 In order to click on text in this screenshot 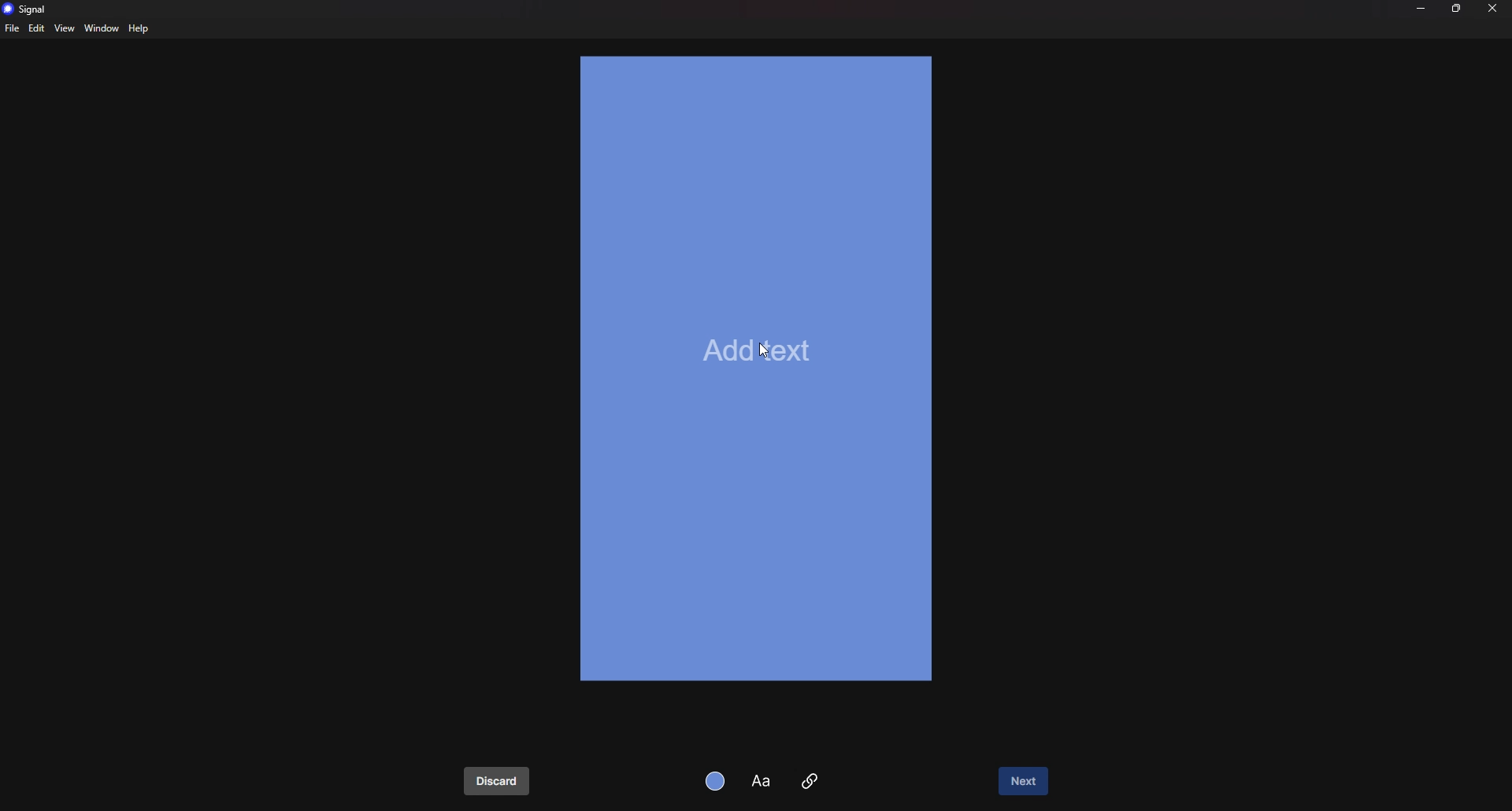, I will do `click(762, 780)`.